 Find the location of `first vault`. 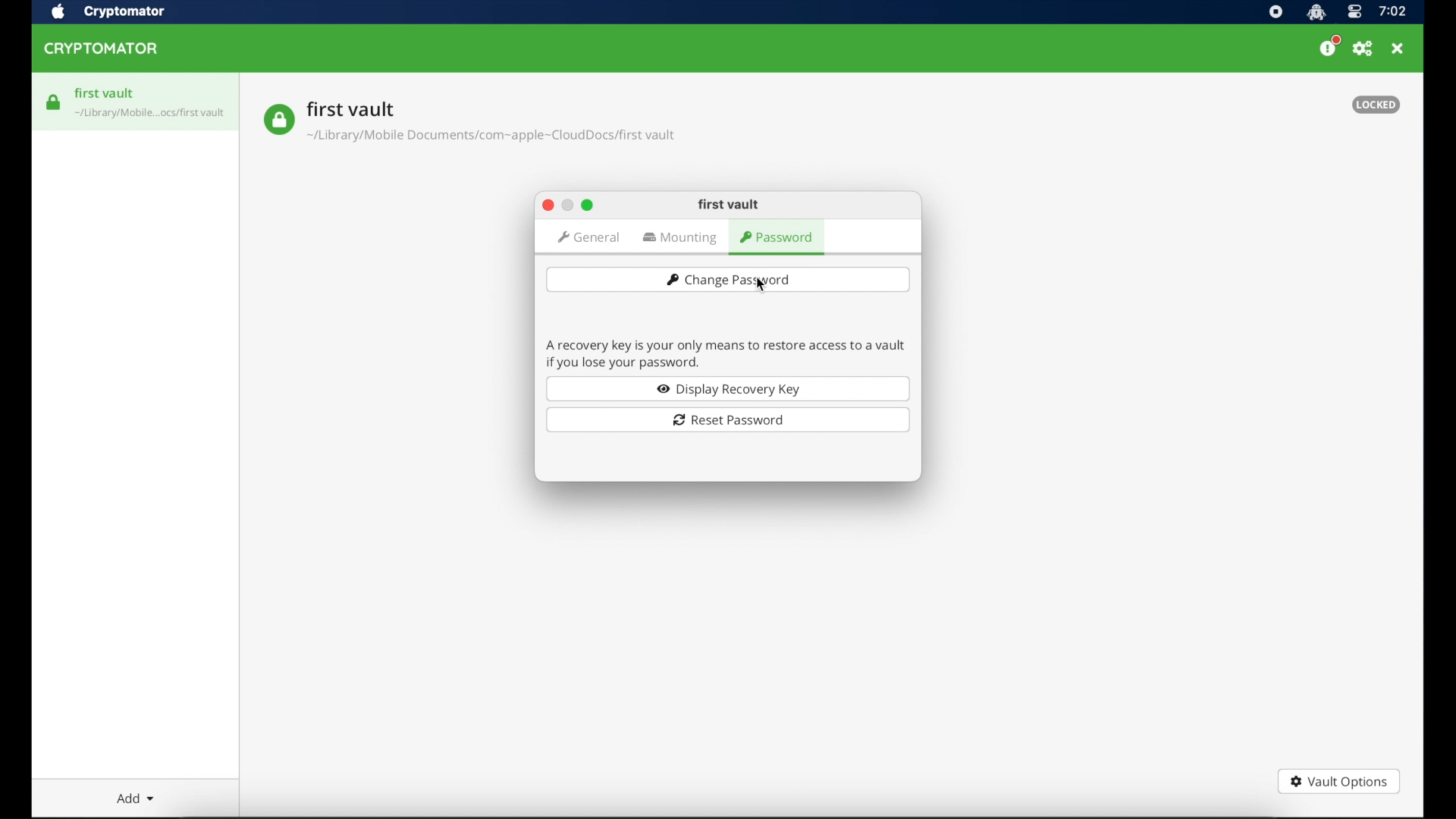

first vault is located at coordinates (729, 205).